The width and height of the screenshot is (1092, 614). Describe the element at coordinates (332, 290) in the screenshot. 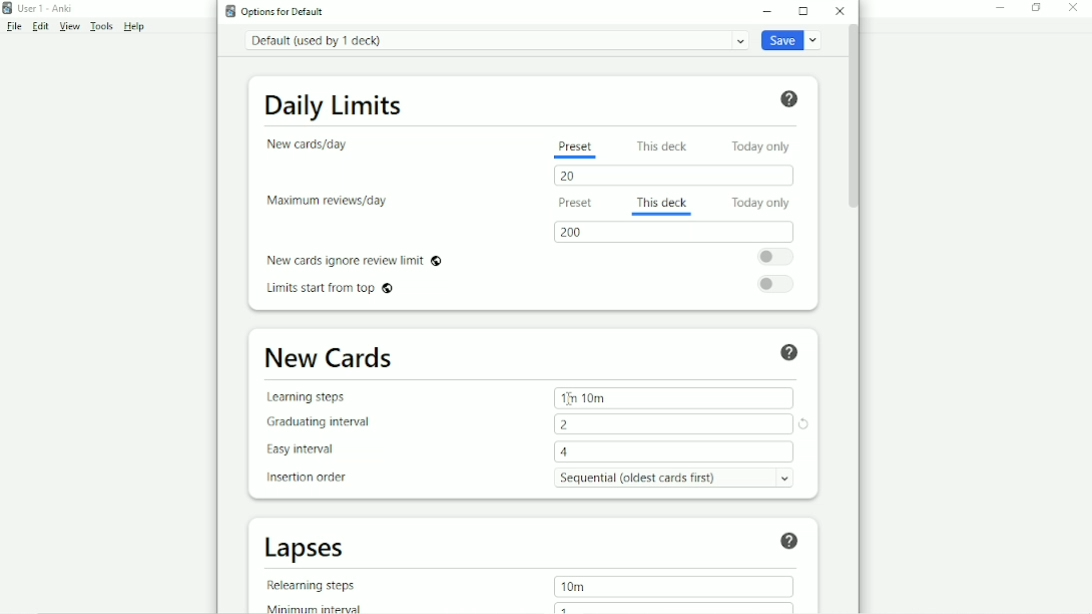

I see `Limits start from top` at that location.